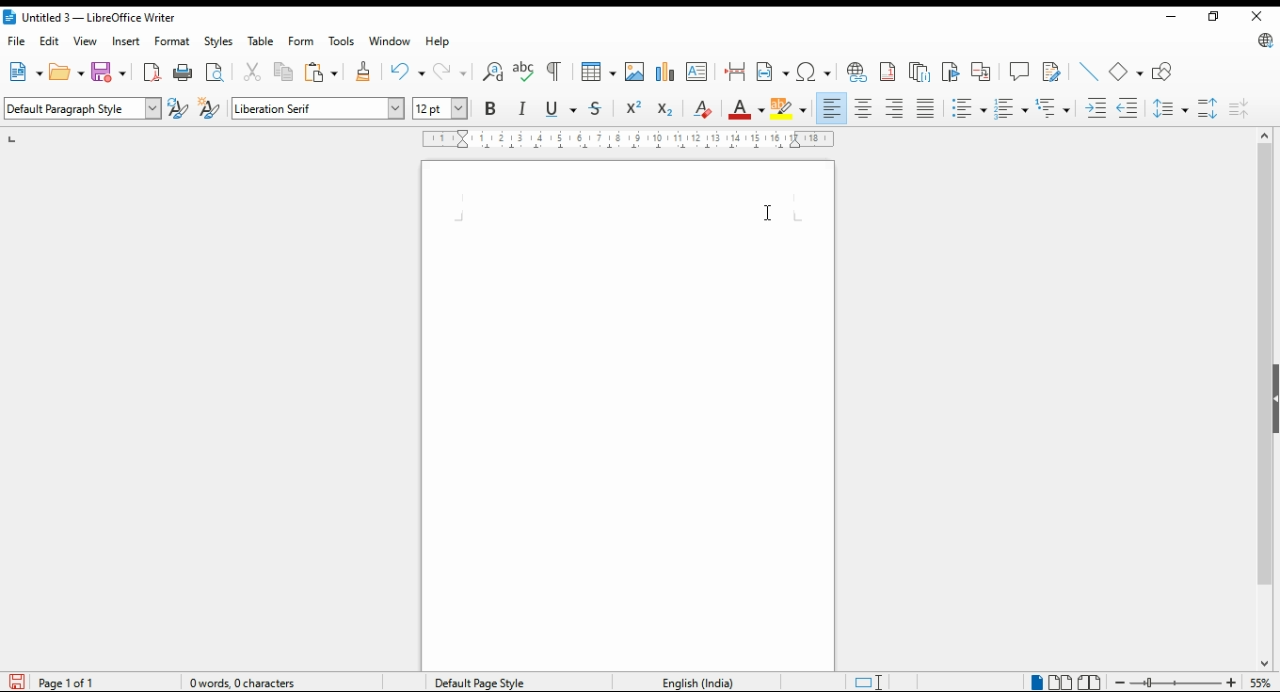 The image size is (1280, 692). Describe the element at coordinates (832, 108) in the screenshot. I see `align left` at that location.